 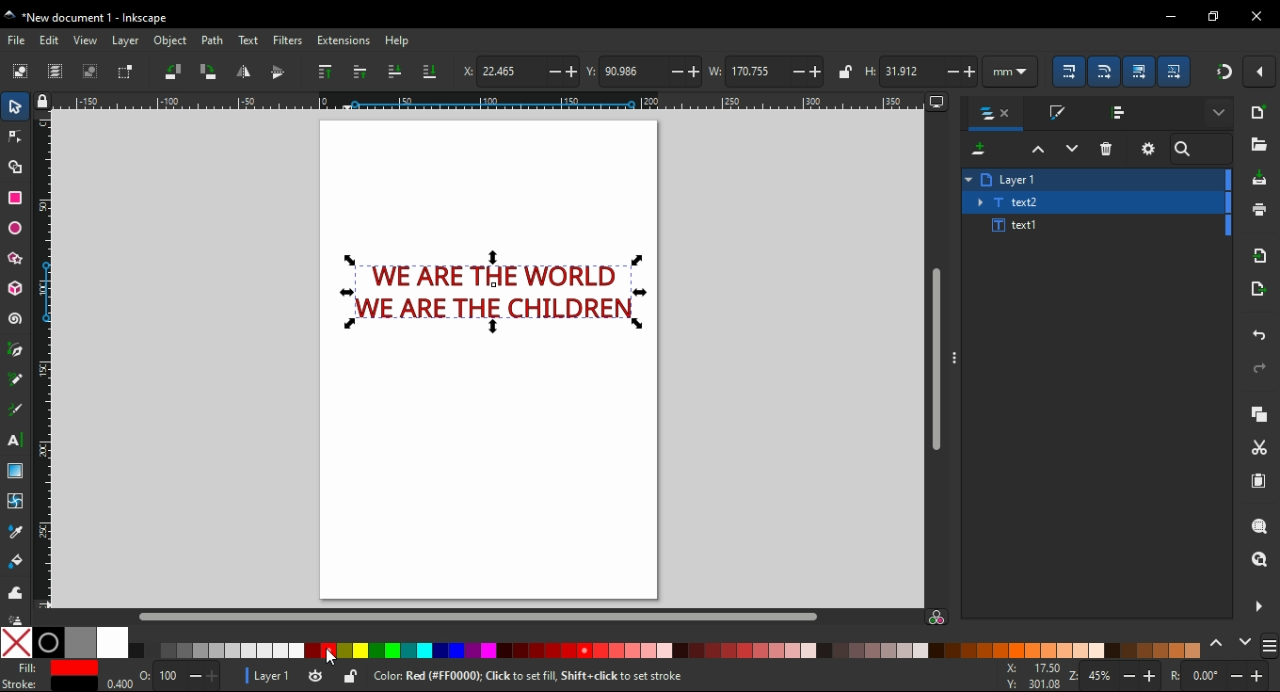 What do you see at coordinates (272, 676) in the screenshot?
I see `layer 1` at bounding box center [272, 676].